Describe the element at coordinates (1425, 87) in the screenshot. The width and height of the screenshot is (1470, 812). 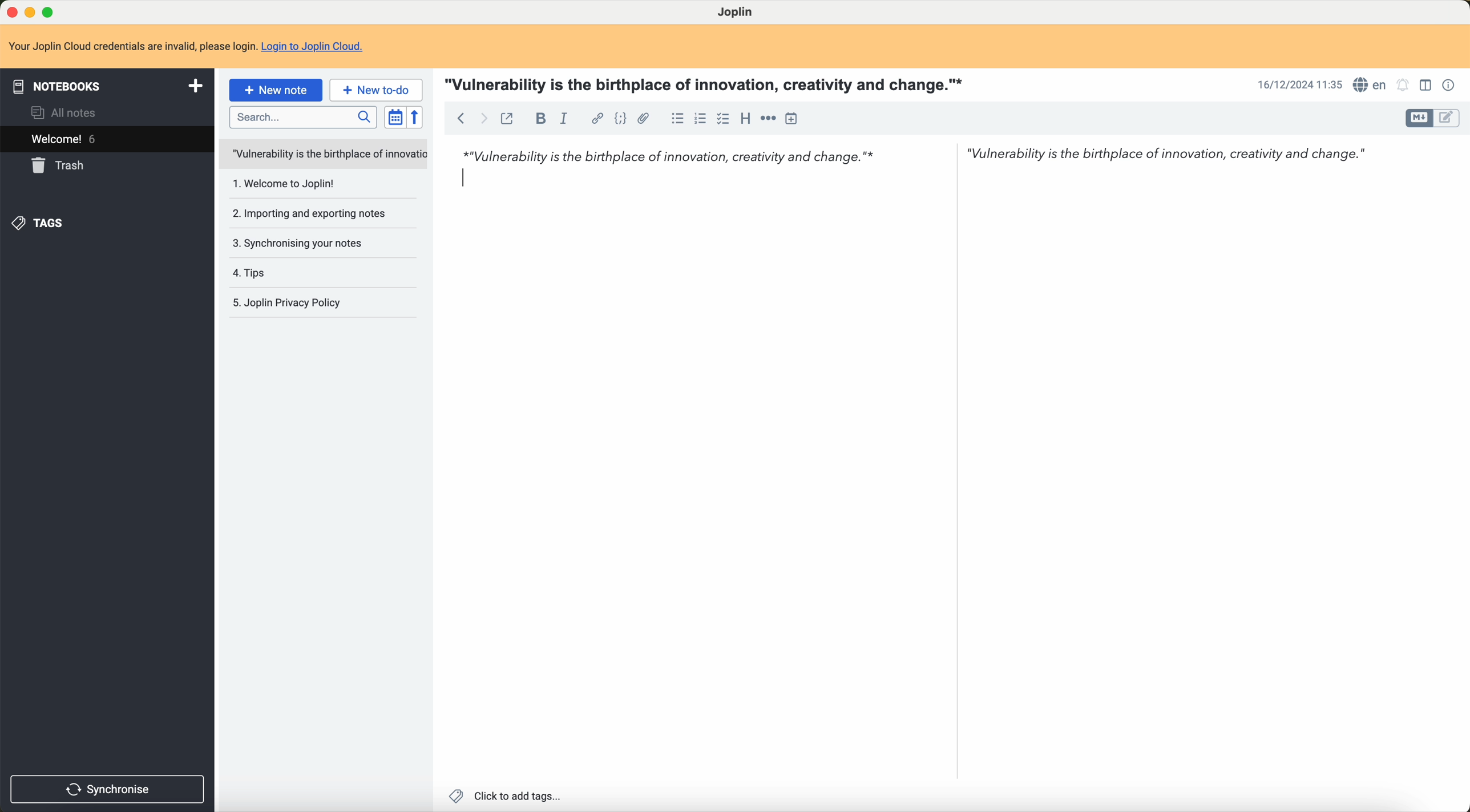
I see `toggle editor layout` at that location.